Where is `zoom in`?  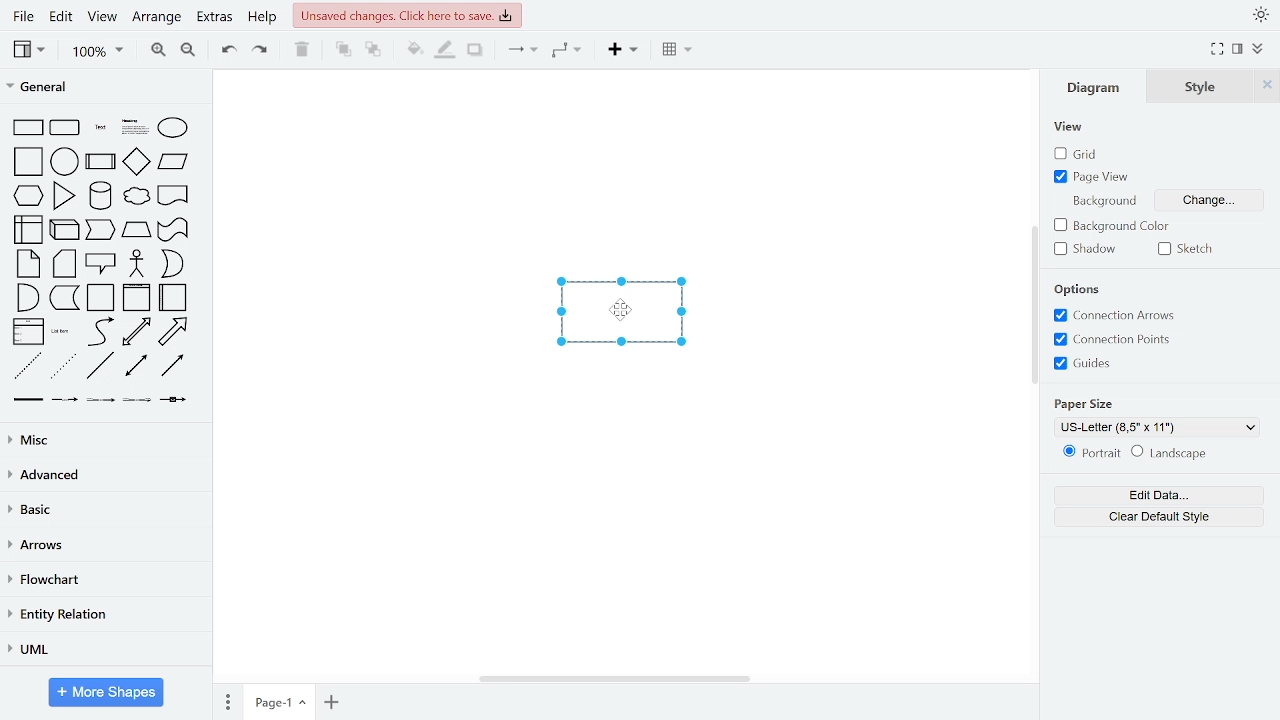
zoom in is located at coordinates (157, 52).